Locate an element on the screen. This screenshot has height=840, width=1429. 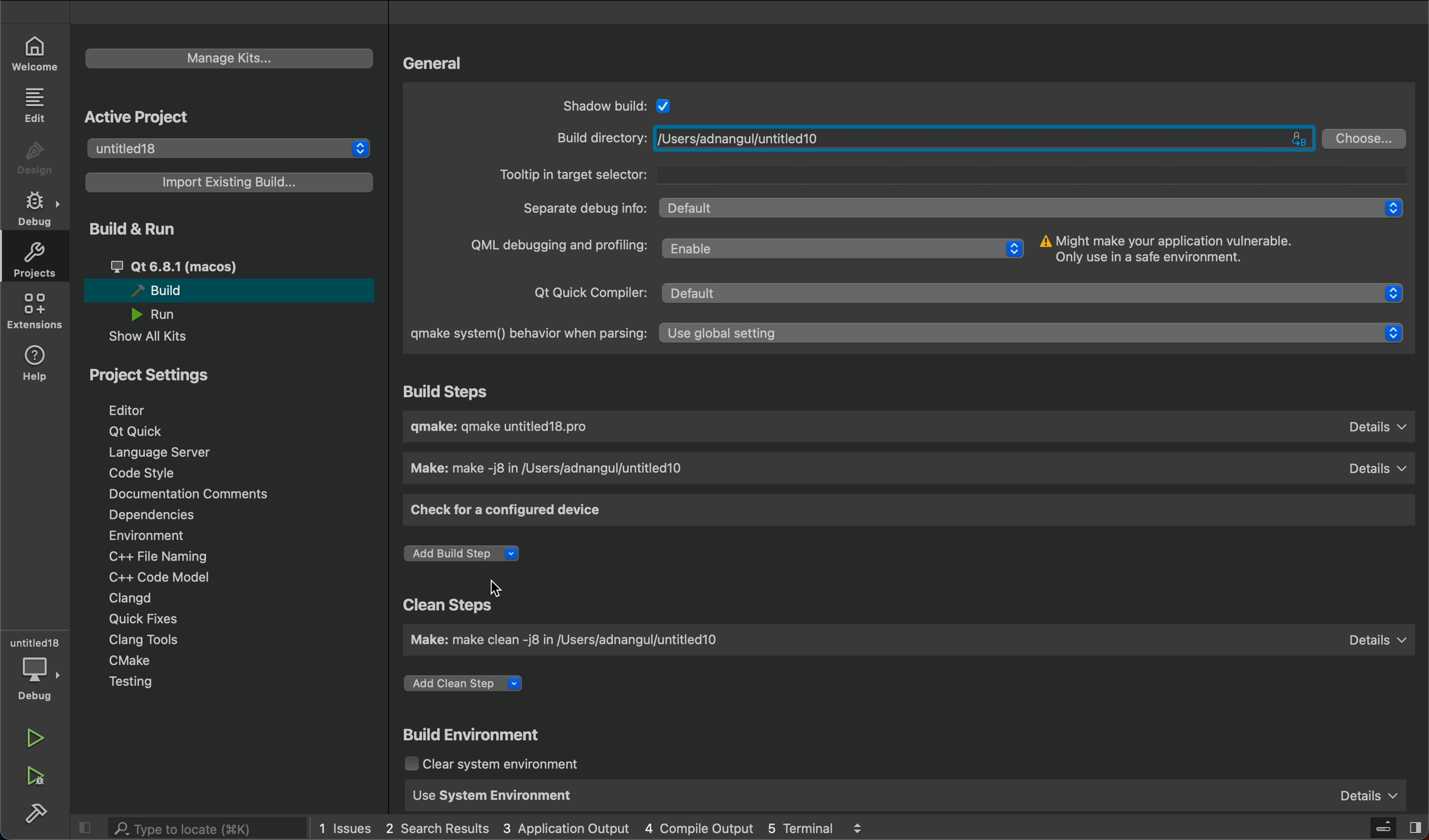
Active Project is located at coordinates (143, 117).